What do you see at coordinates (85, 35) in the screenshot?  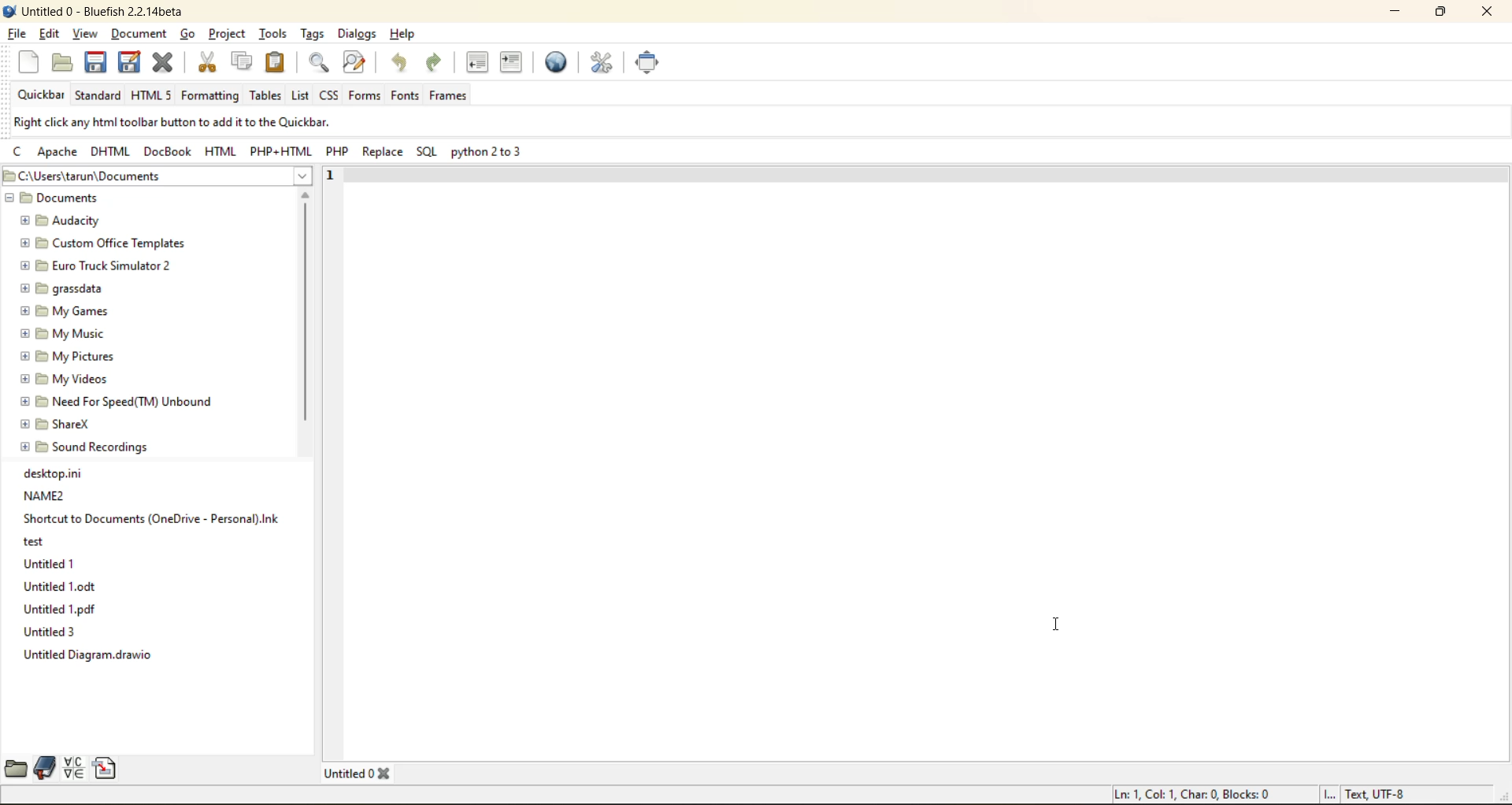 I see `view` at bounding box center [85, 35].